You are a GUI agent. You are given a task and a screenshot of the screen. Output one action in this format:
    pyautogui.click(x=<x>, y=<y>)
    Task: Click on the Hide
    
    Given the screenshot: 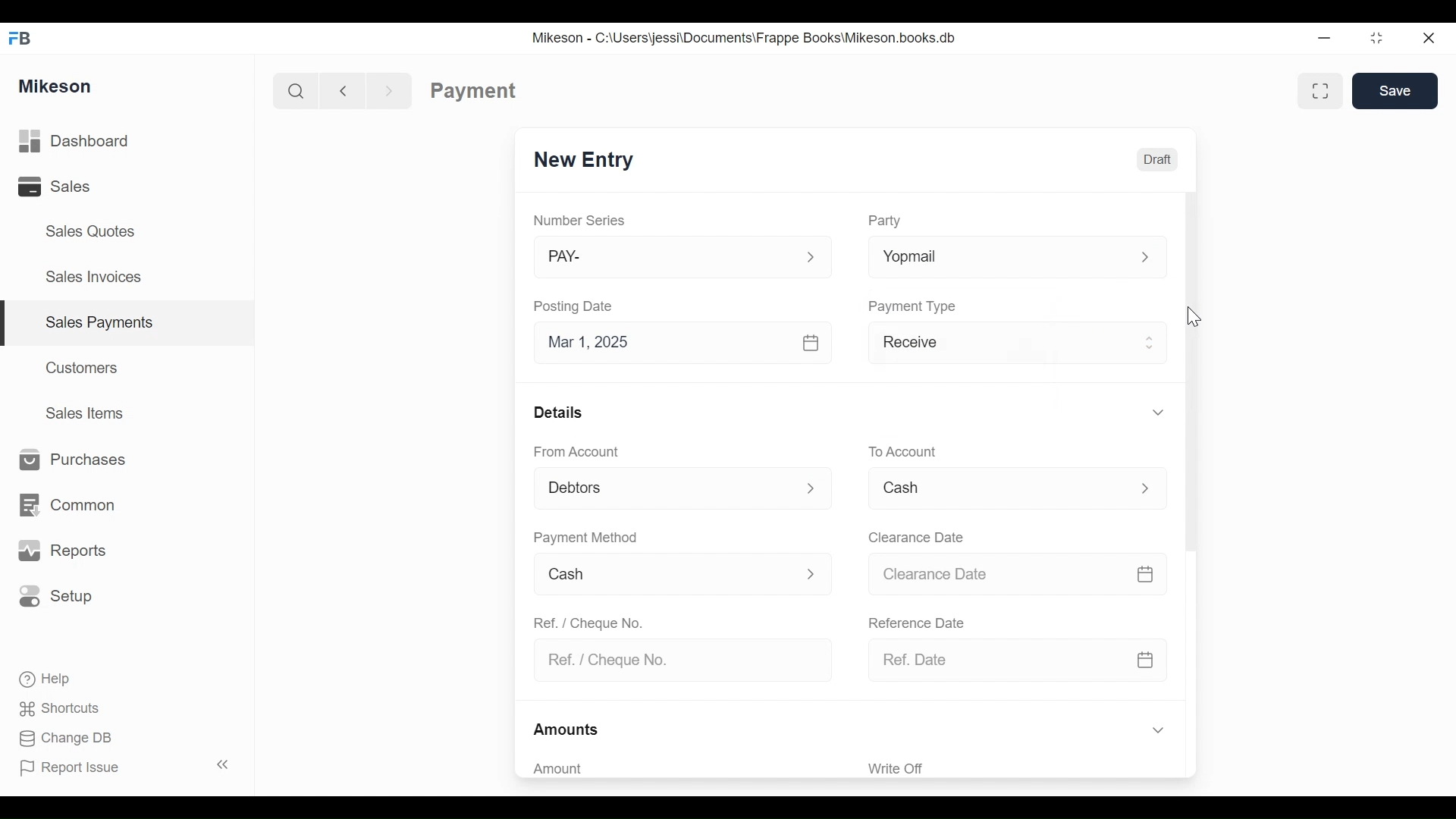 What is the action you would take?
    pyautogui.click(x=1156, y=728)
    